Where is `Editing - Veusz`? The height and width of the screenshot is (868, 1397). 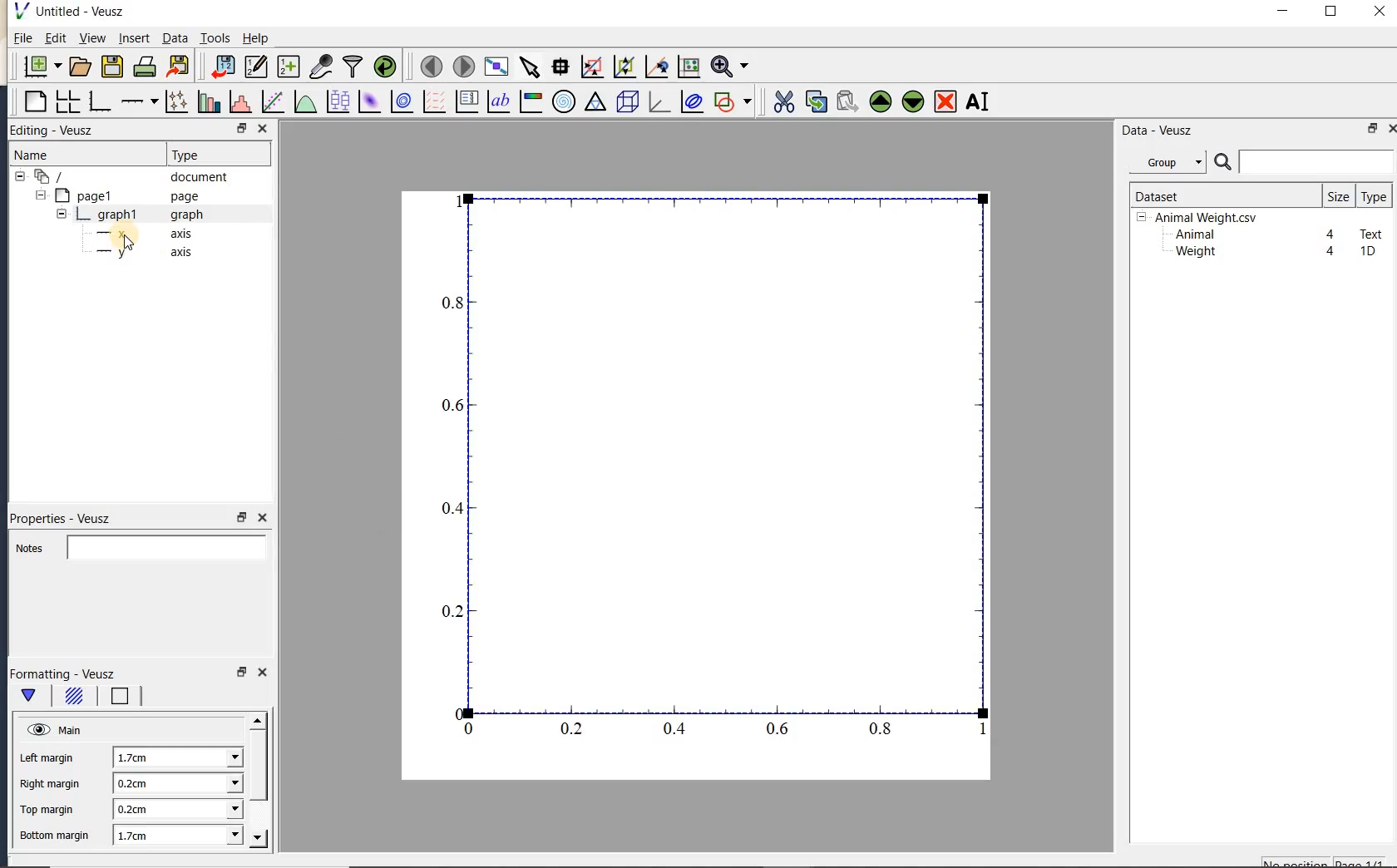
Editing - Veusz is located at coordinates (61, 131).